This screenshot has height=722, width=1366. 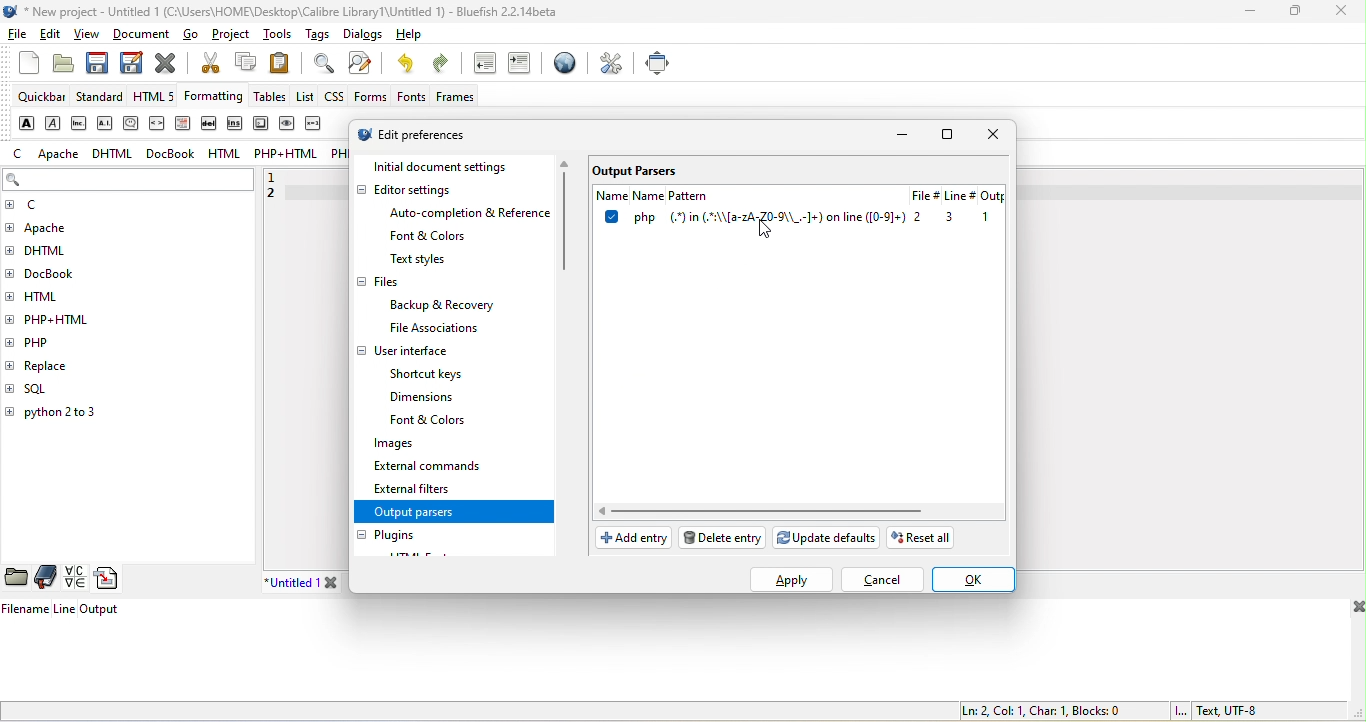 What do you see at coordinates (772, 232) in the screenshot?
I see `cursor movement` at bounding box center [772, 232].